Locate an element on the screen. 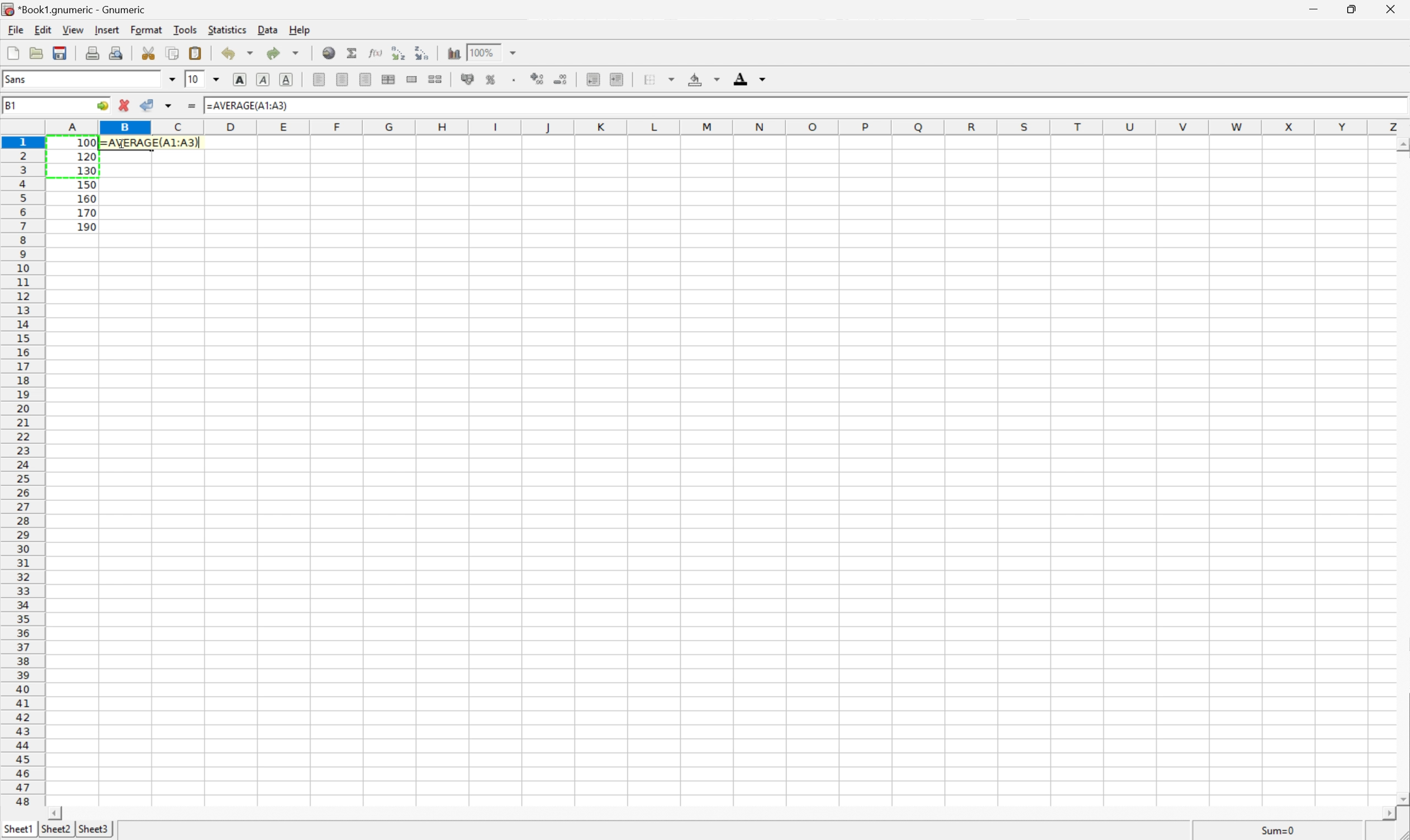 The image size is (1410, 840). Minimize is located at coordinates (1310, 8).